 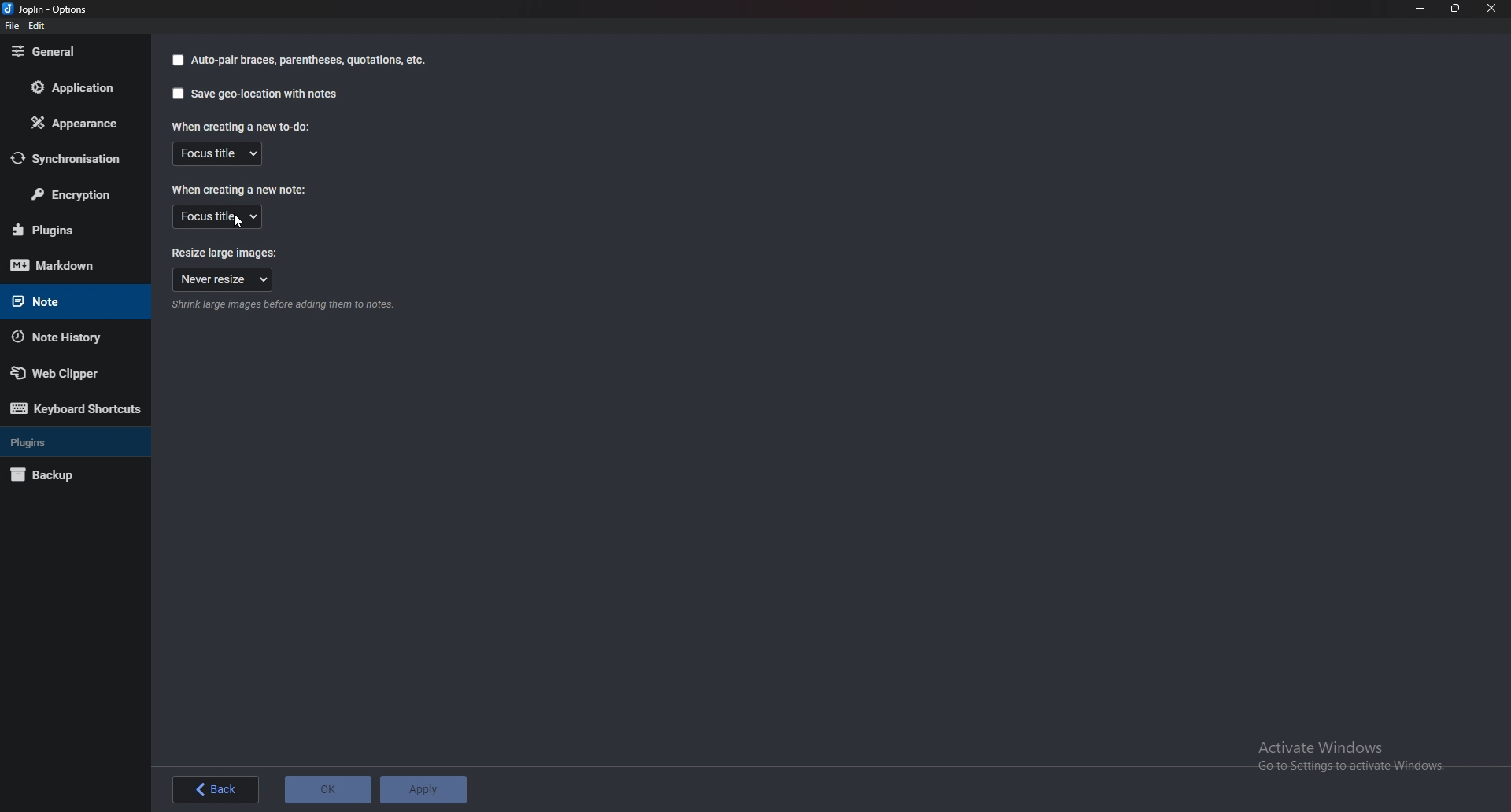 I want to click on general, so click(x=70, y=50).